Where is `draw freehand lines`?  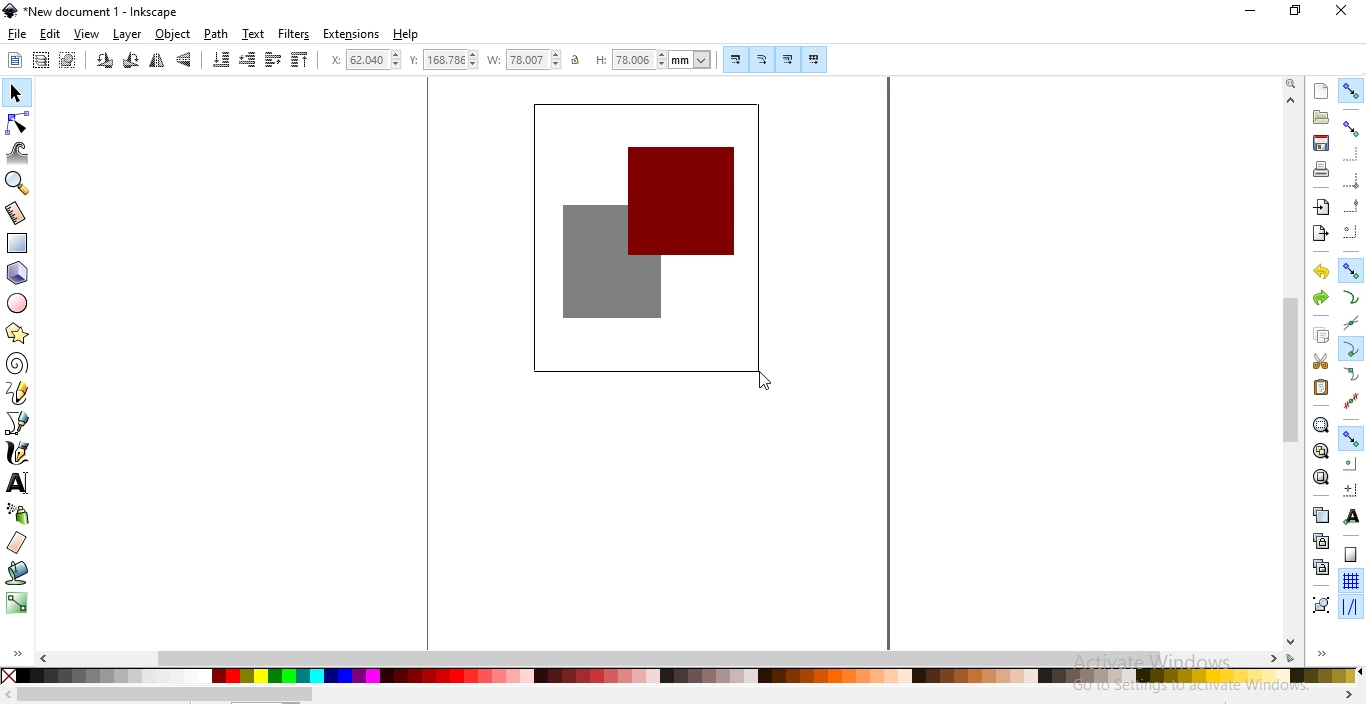
draw freehand lines is located at coordinates (18, 392).